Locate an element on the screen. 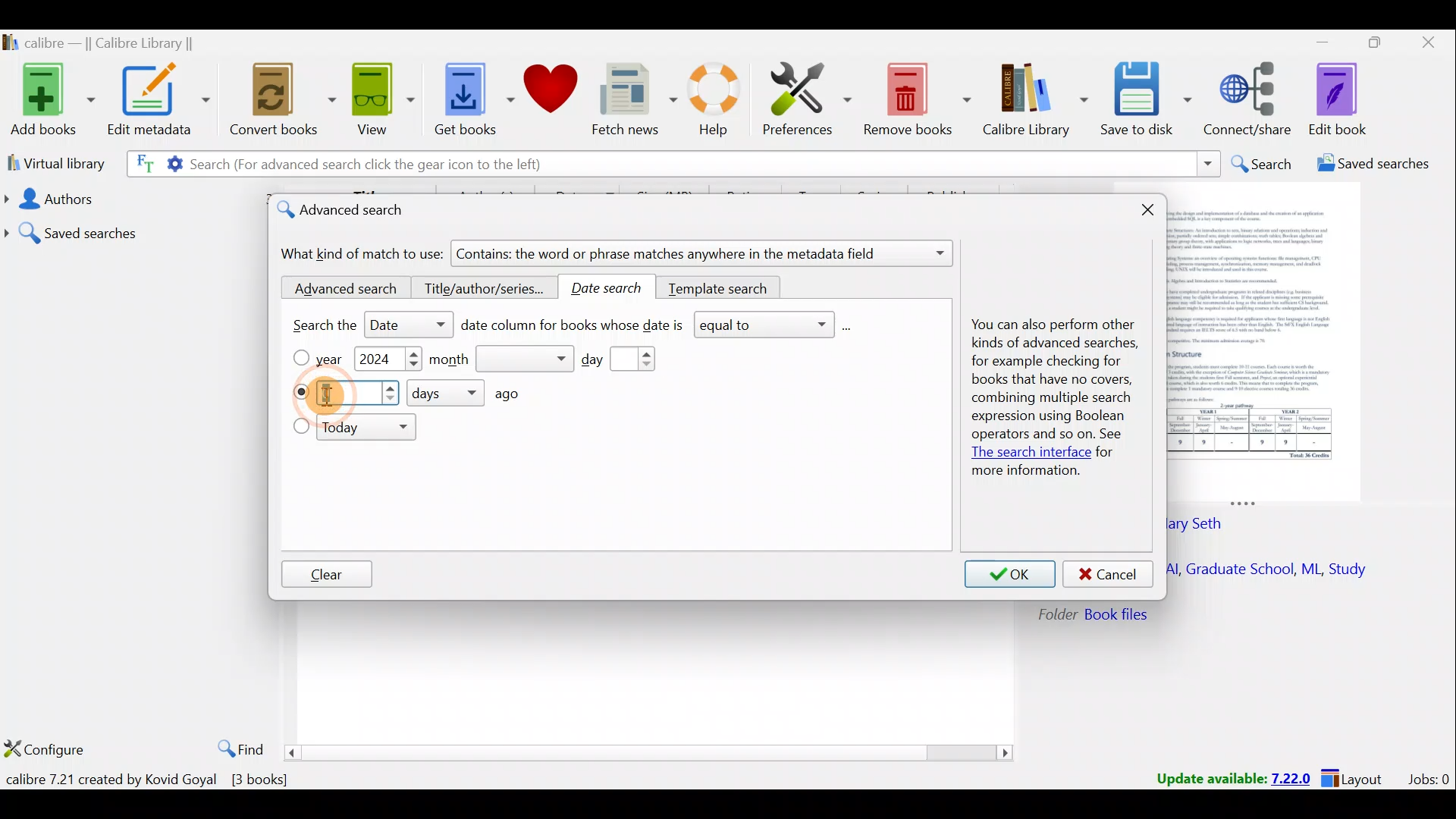  Configure is located at coordinates (45, 751).